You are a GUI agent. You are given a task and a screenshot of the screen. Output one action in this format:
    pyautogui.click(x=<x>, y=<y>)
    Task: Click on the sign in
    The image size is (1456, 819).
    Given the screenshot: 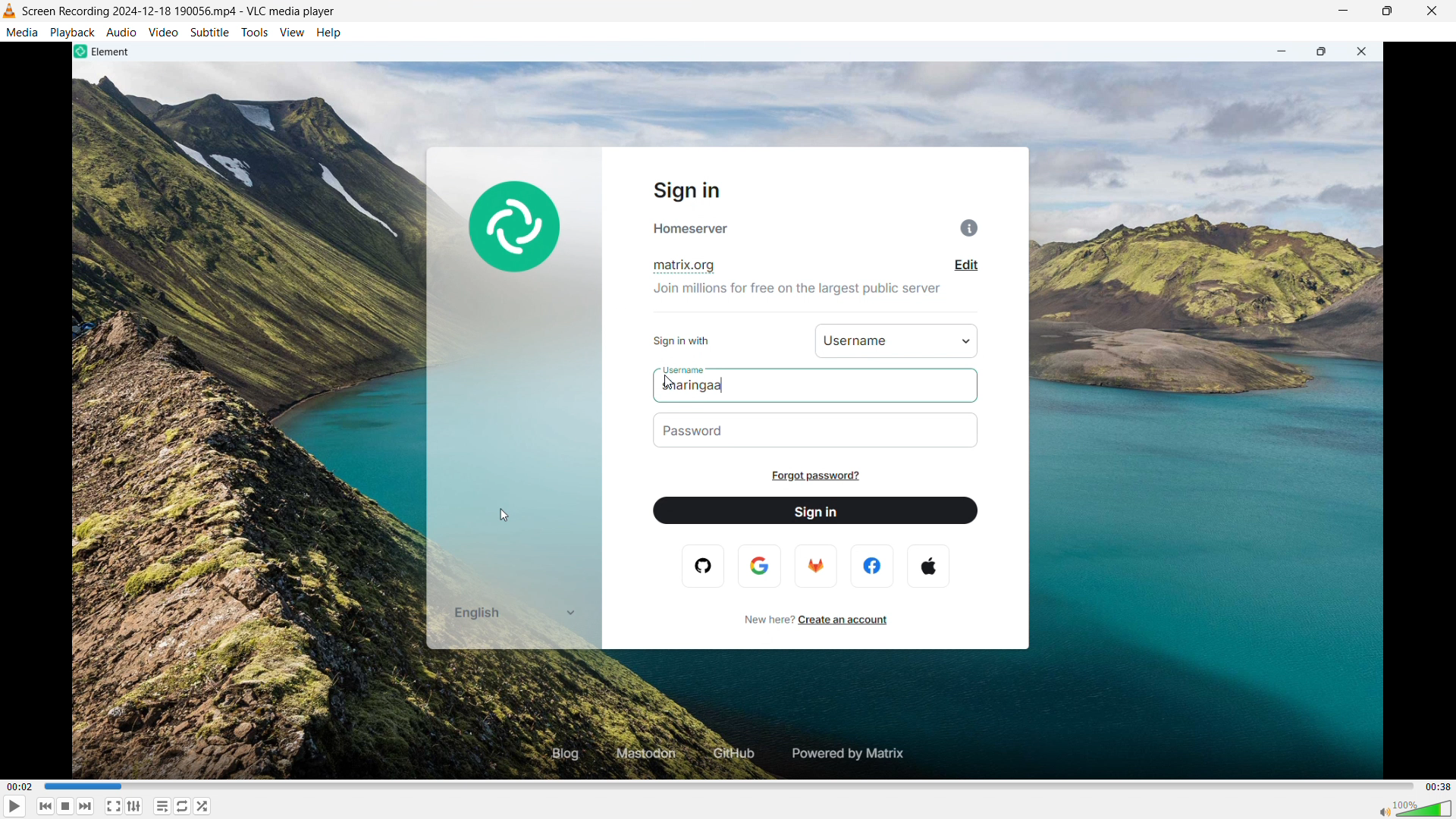 What is the action you would take?
    pyautogui.click(x=817, y=510)
    